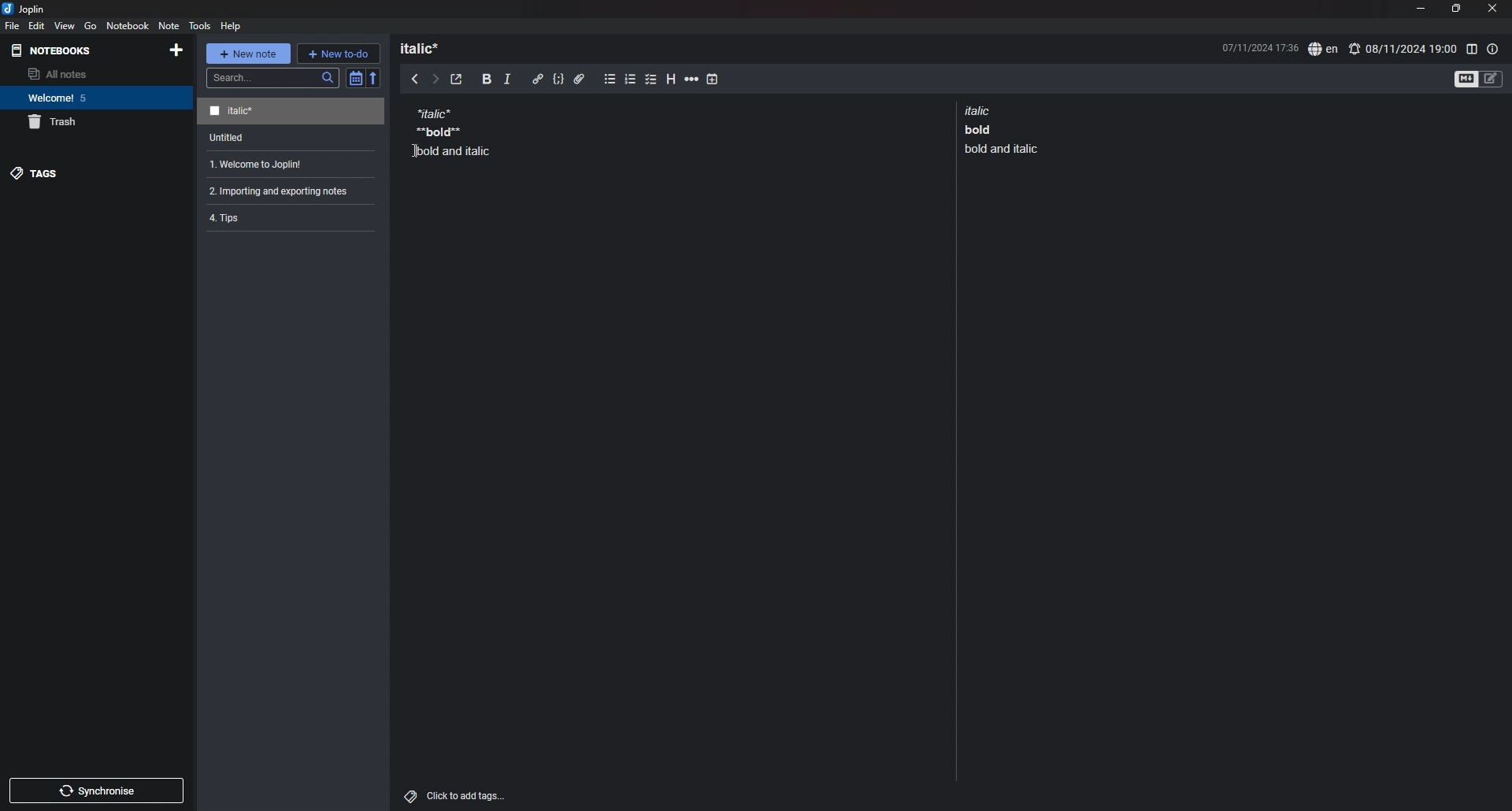  What do you see at coordinates (558, 80) in the screenshot?
I see `code` at bounding box center [558, 80].